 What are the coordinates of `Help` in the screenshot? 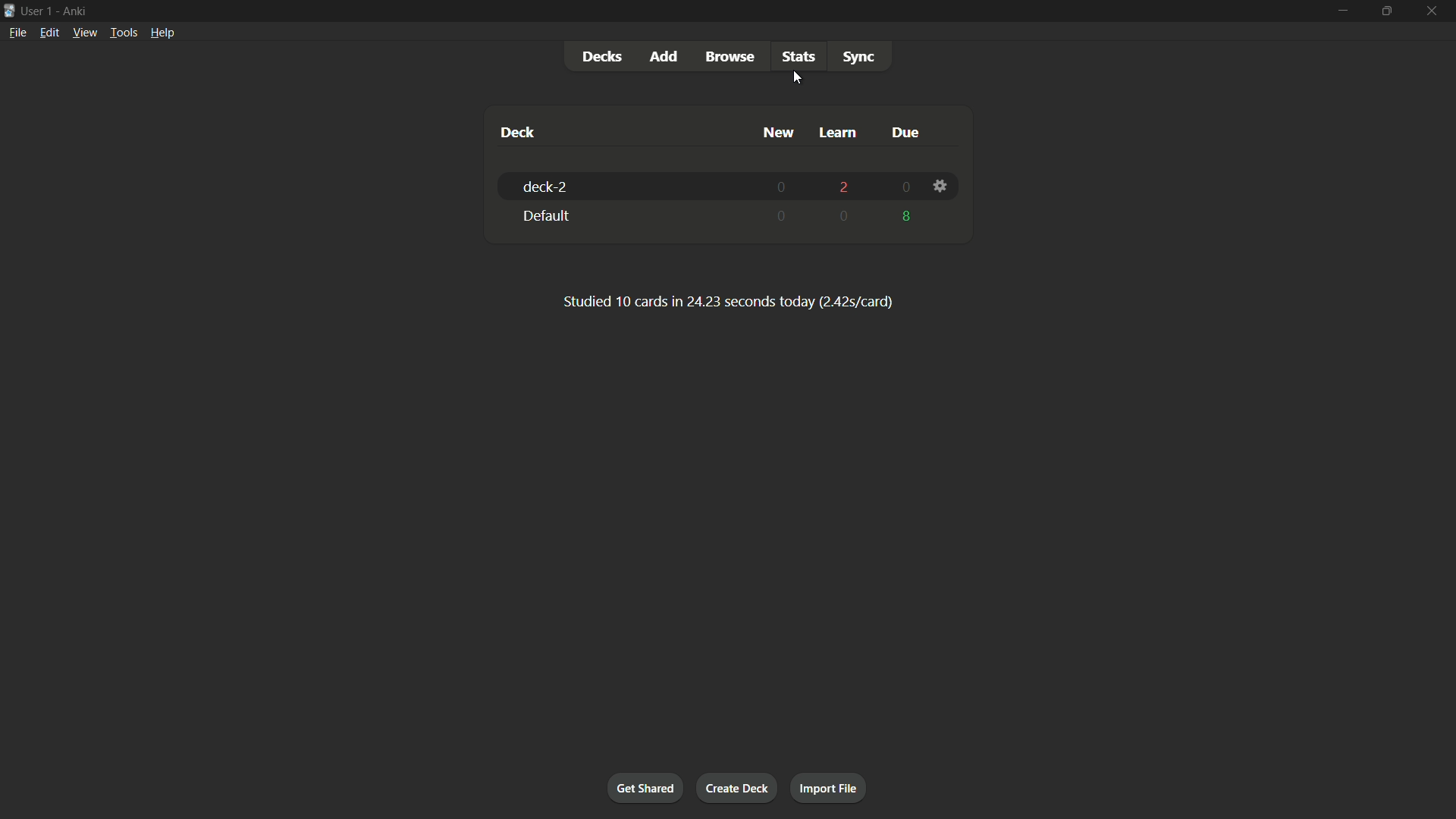 It's located at (165, 36).